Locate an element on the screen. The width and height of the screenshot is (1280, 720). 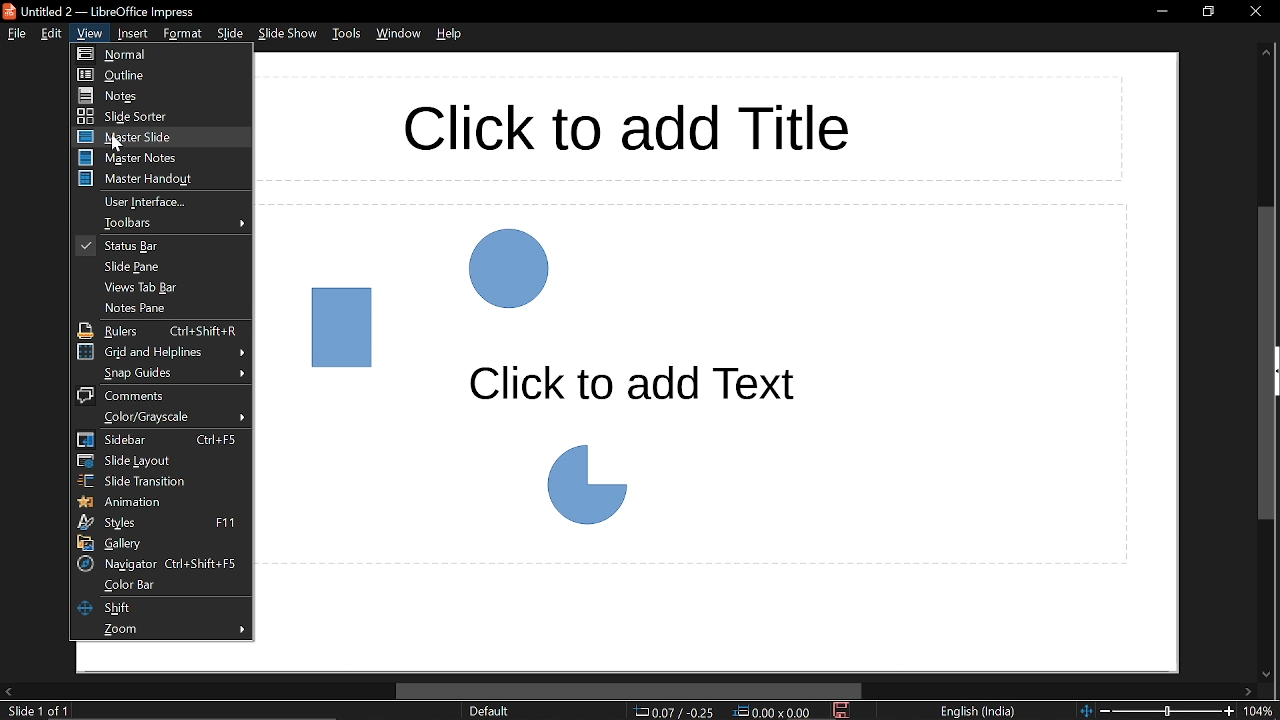
Cursor is located at coordinates (118, 143).